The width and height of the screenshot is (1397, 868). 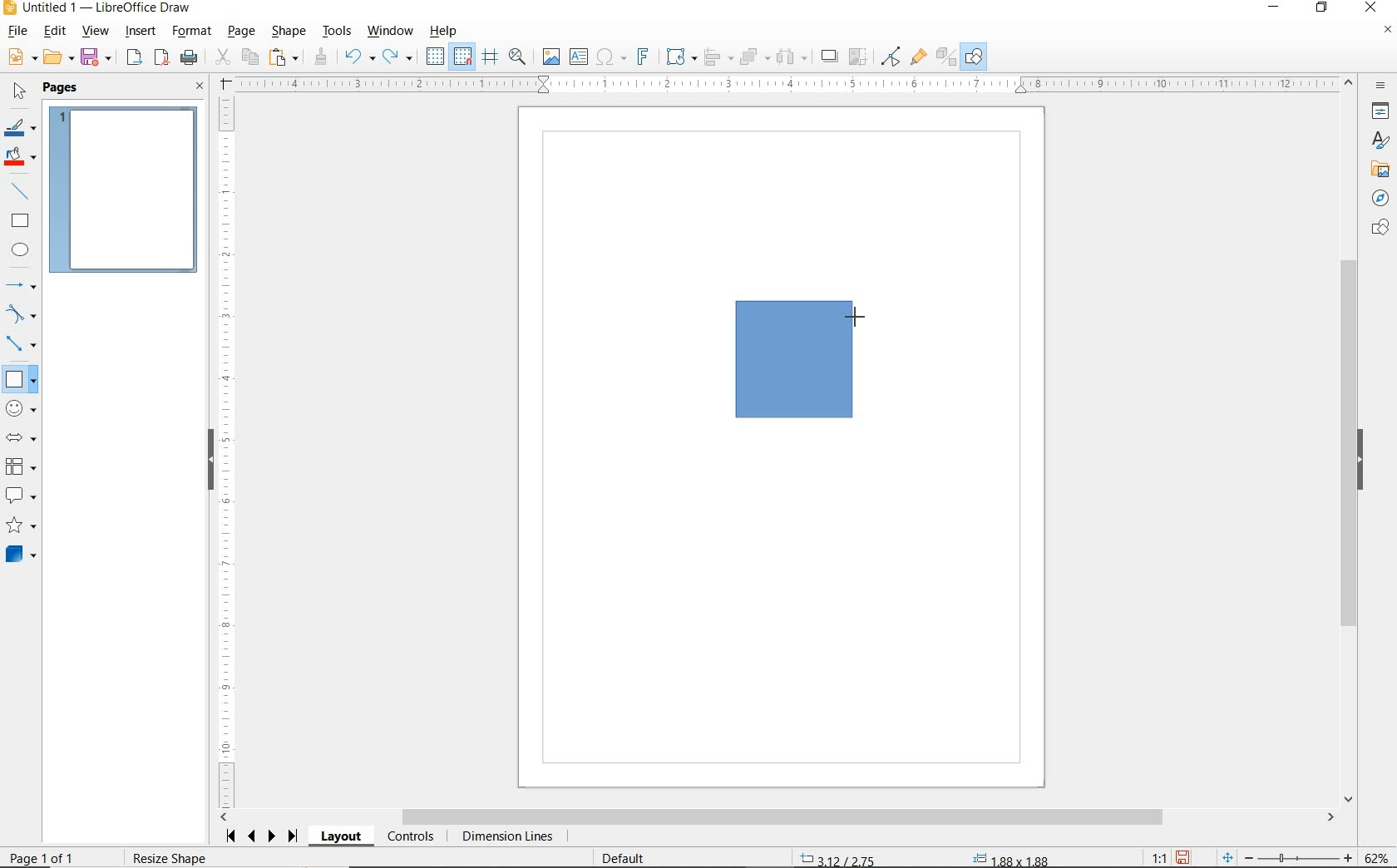 I want to click on CLONE FORMATTING, so click(x=320, y=57).